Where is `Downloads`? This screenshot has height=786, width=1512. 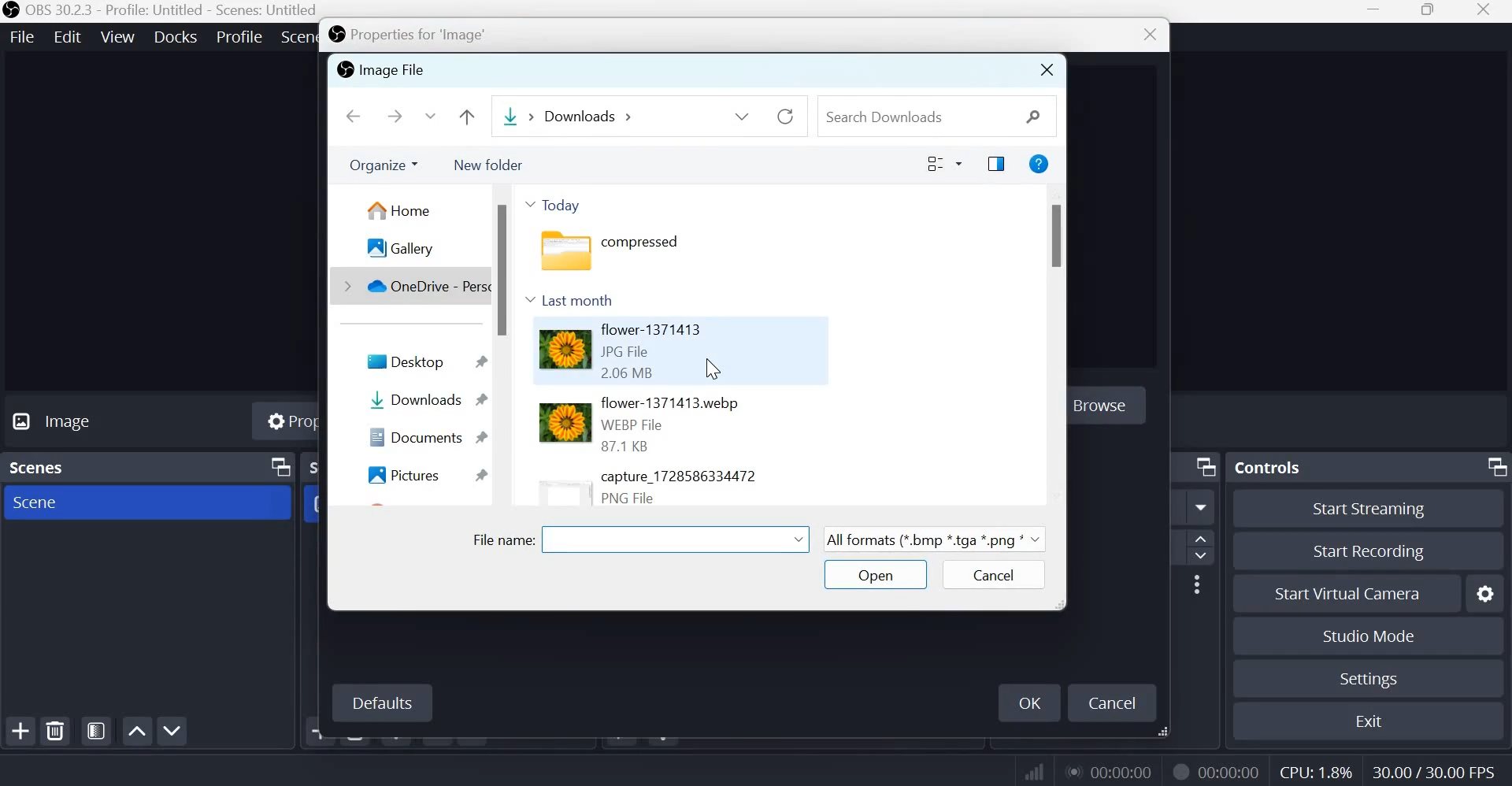
Downloads is located at coordinates (591, 117).